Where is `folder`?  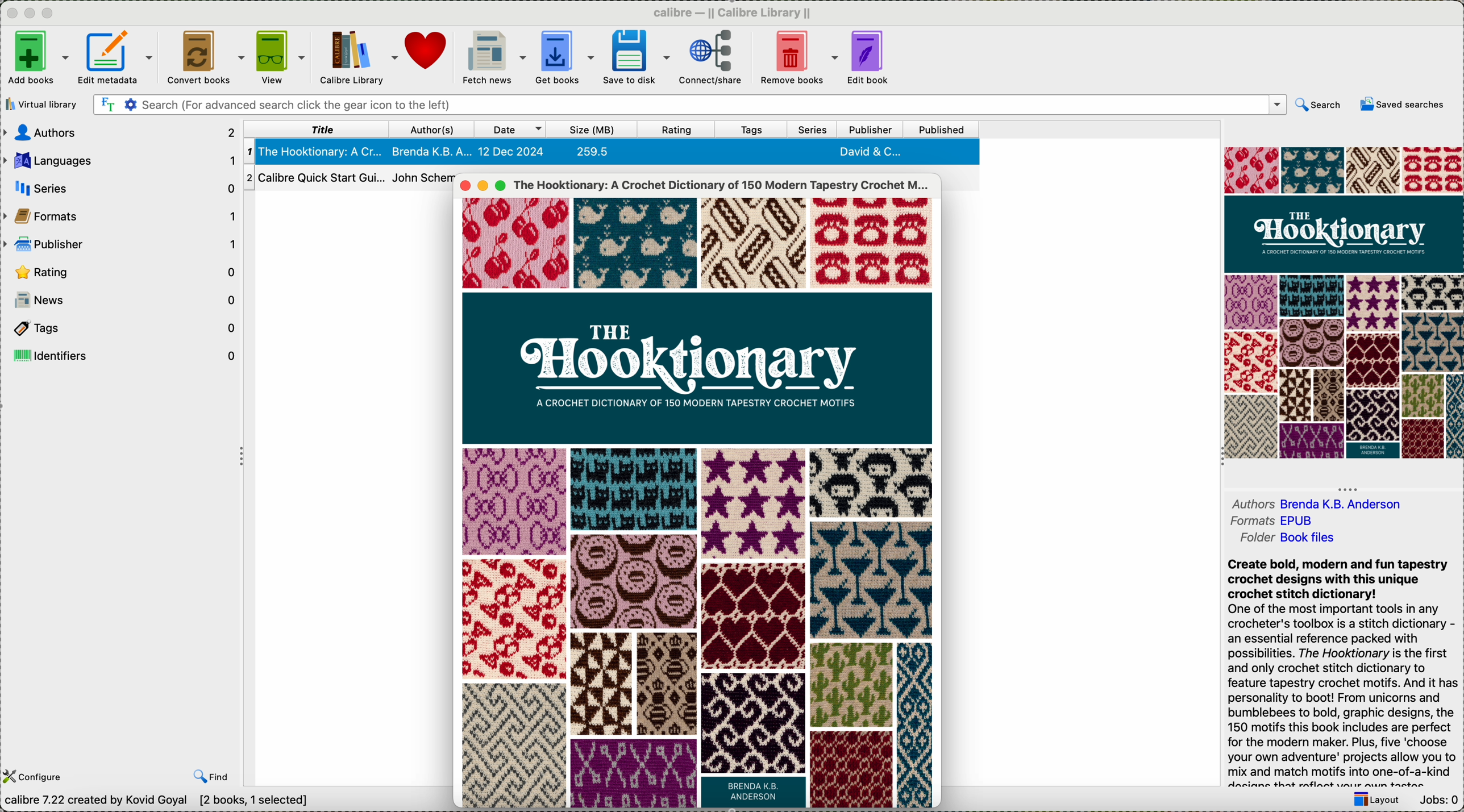 folder is located at coordinates (1286, 542).